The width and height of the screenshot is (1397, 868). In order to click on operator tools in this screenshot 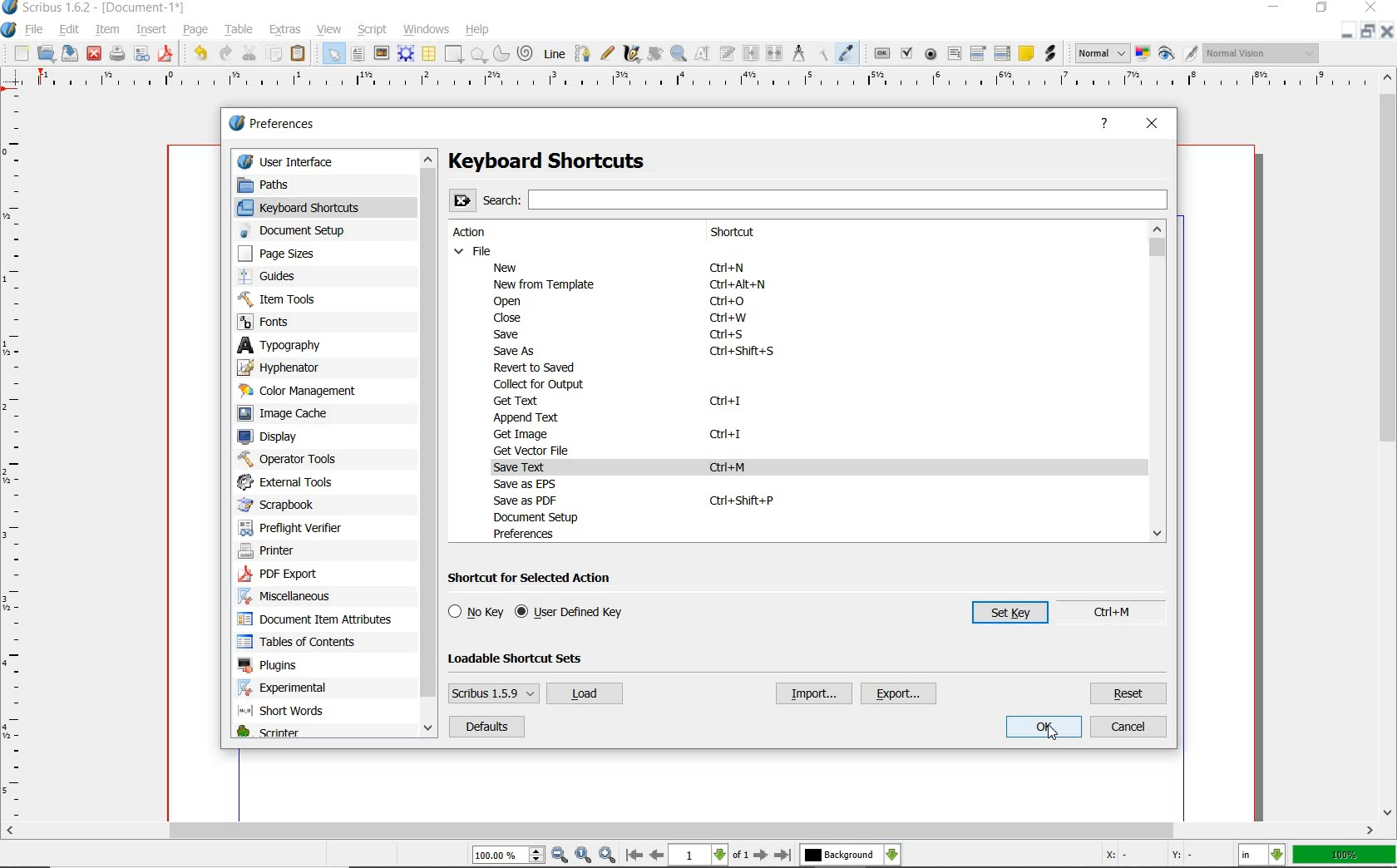, I will do `click(288, 459)`.